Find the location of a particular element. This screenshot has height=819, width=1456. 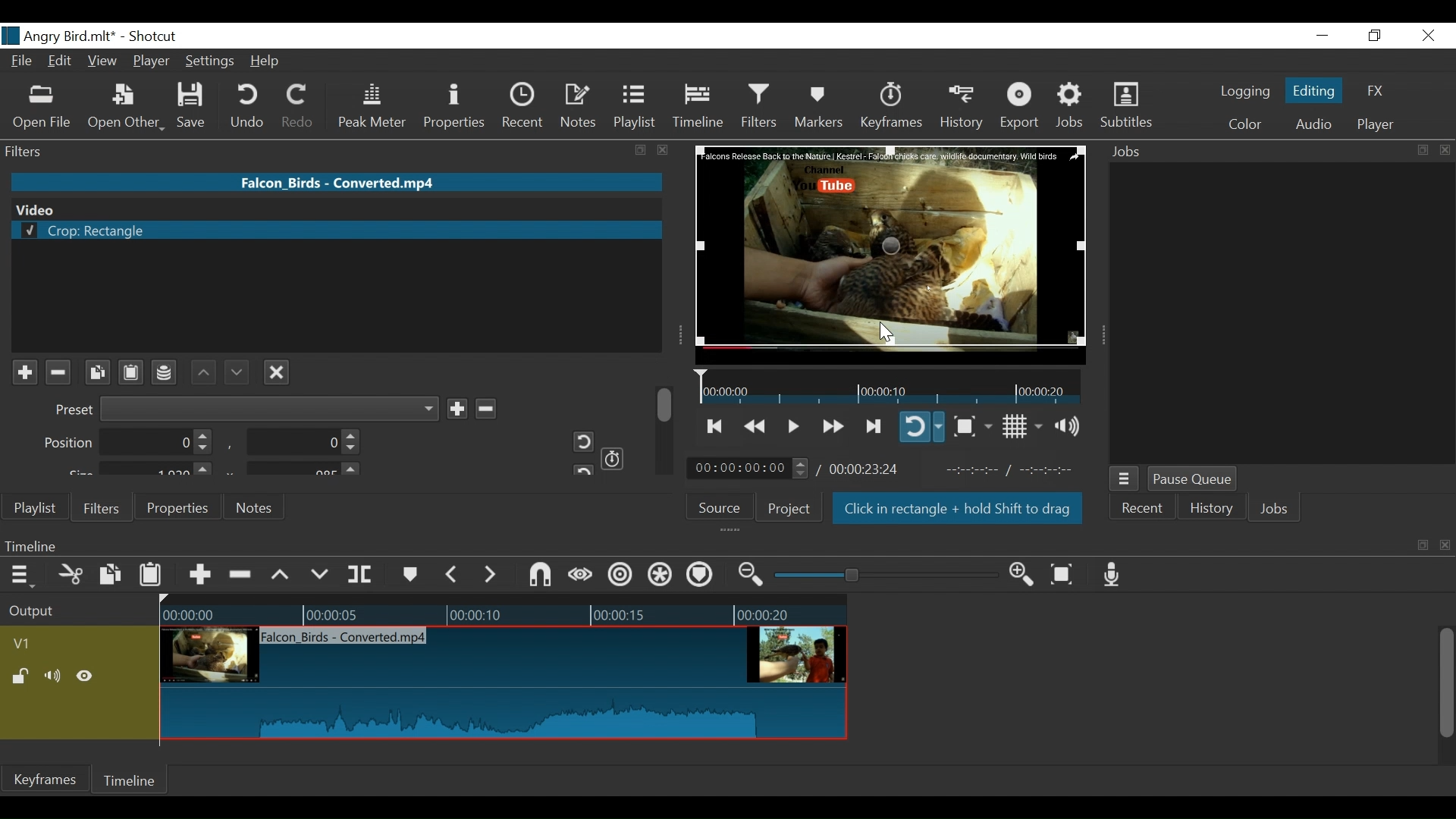

Skip to the previous point is located at coordinates (716, 426).